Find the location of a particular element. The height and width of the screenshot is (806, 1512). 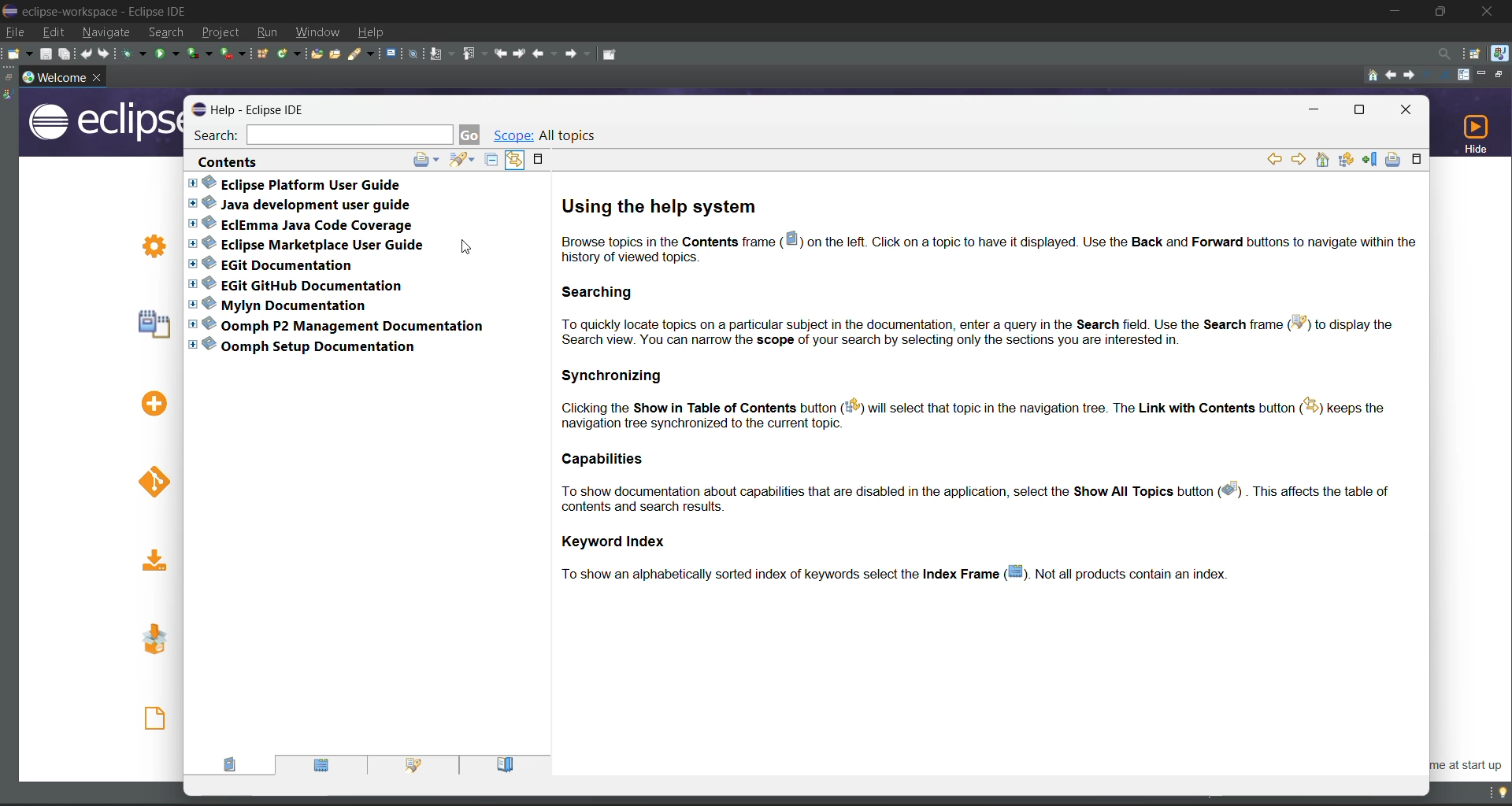

undo is located at coordinates (84, 53).